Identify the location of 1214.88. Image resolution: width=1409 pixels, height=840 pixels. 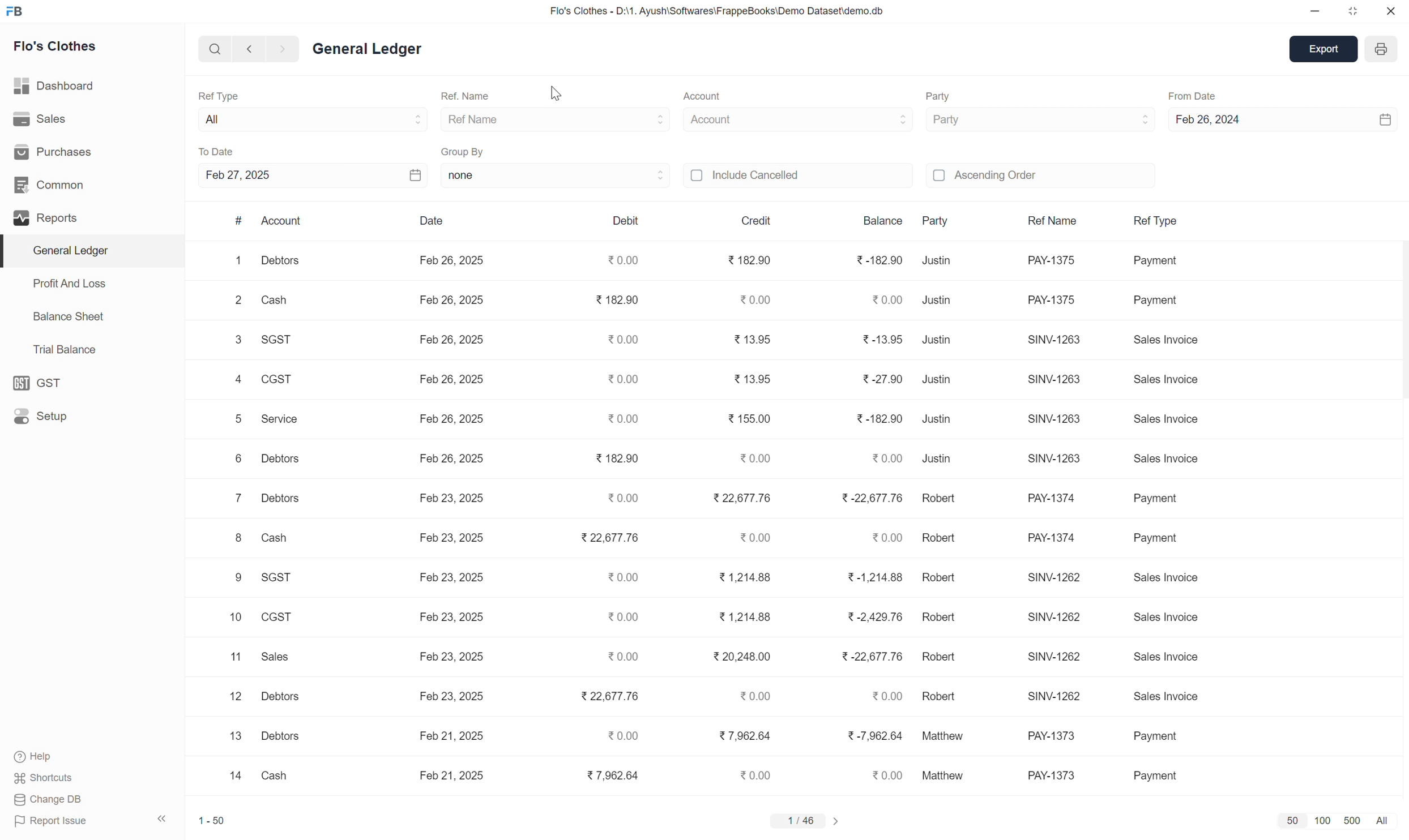
(748, 576).